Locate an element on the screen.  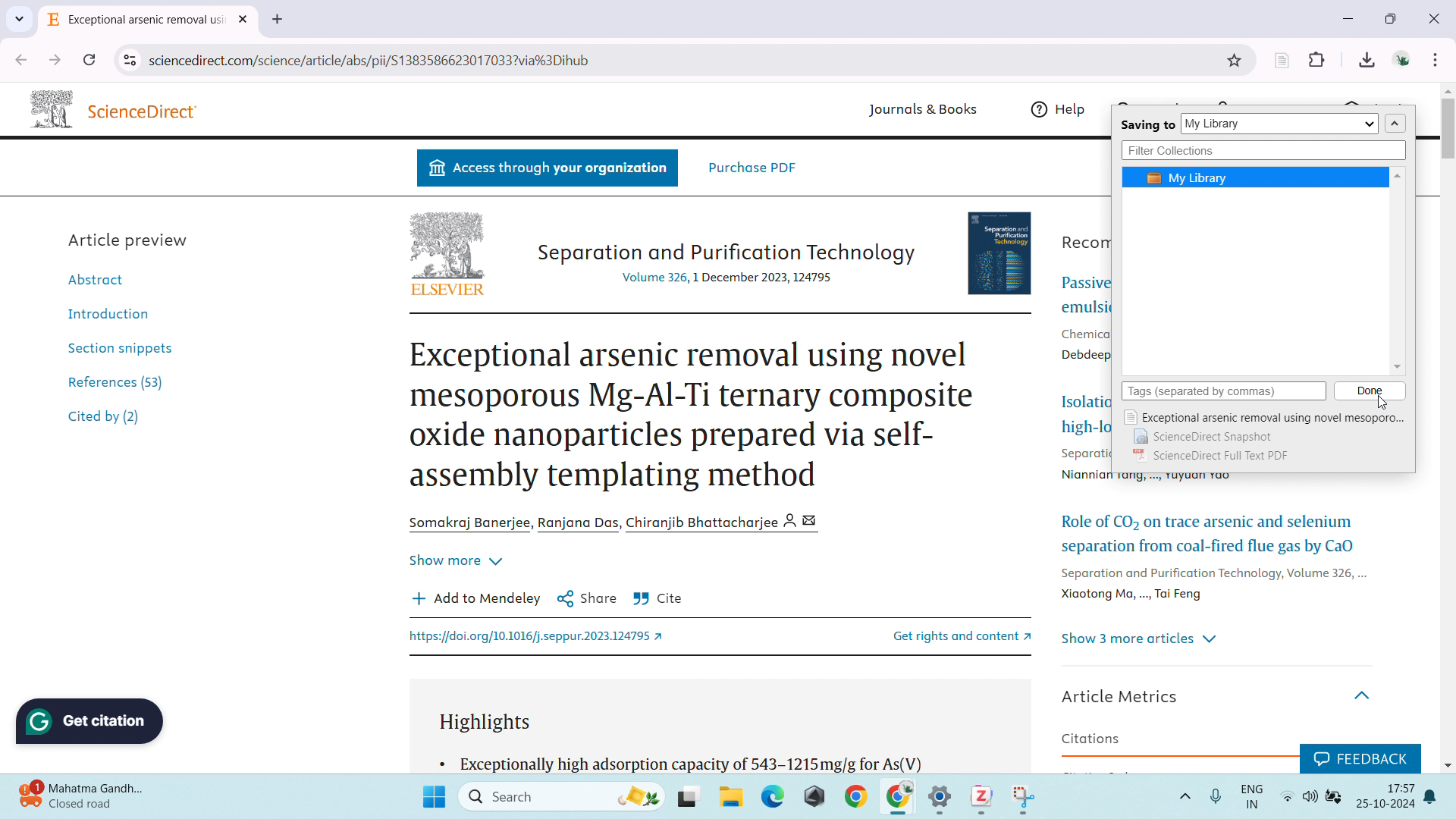
zotero app is located at coordinates (978, 795).